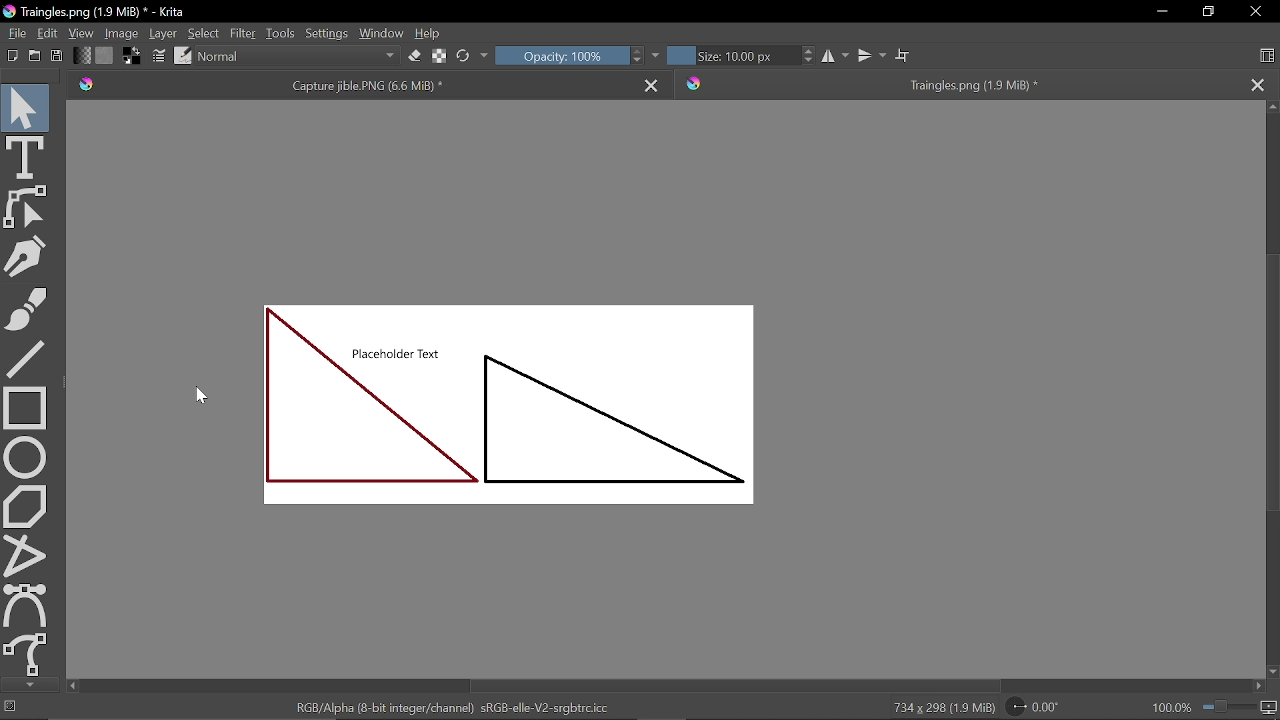 The height and width of the screenshot is (720, 1280). What do you see at coordinates (430, 35) in the screenshot?
I see `Help` at bounding box center [430, 35].